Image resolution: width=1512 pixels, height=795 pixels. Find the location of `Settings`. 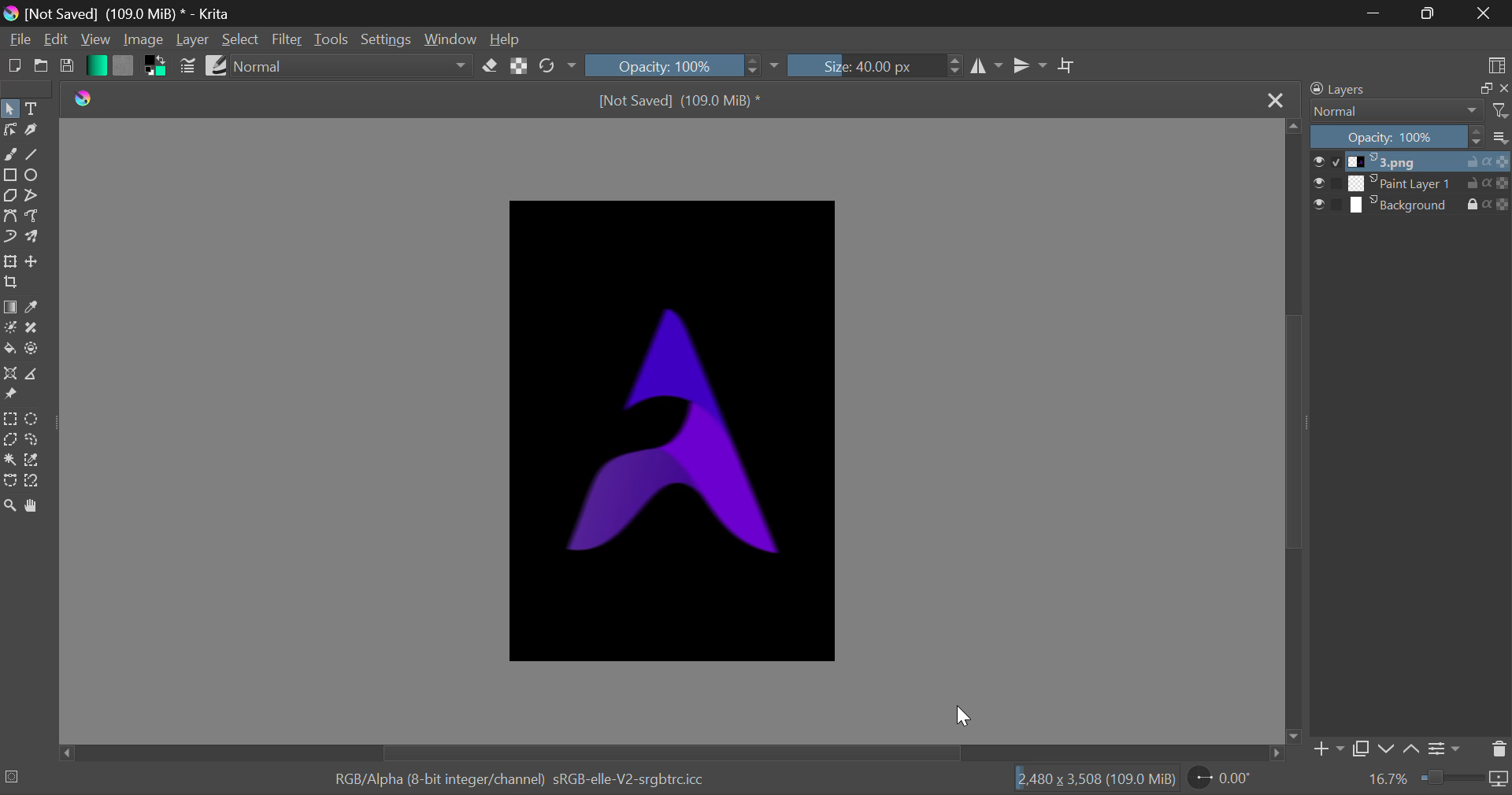

Settings is located at coordinates (384, 38).